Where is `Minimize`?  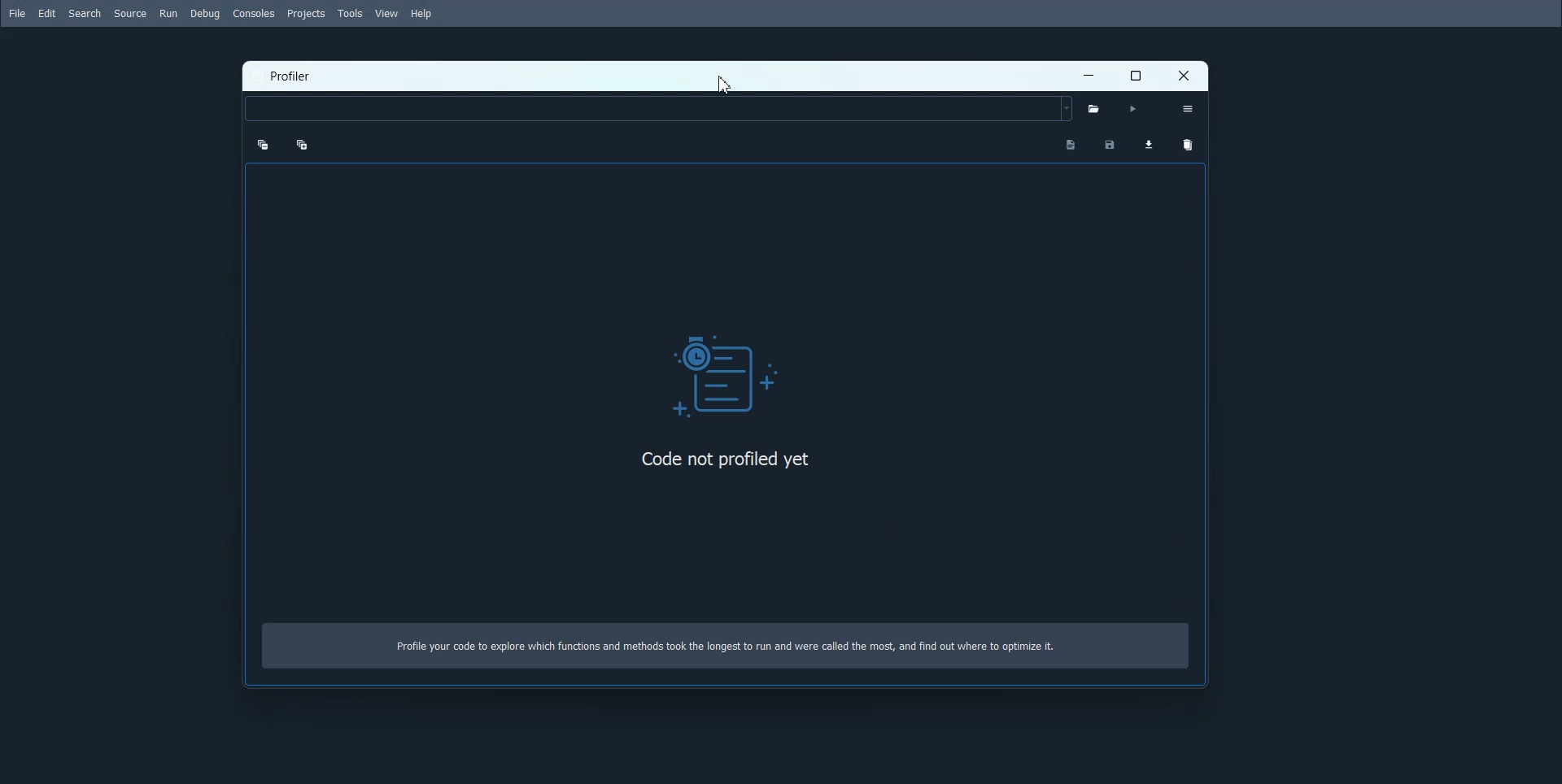
Minimize is located at coordinates (1087, 75).